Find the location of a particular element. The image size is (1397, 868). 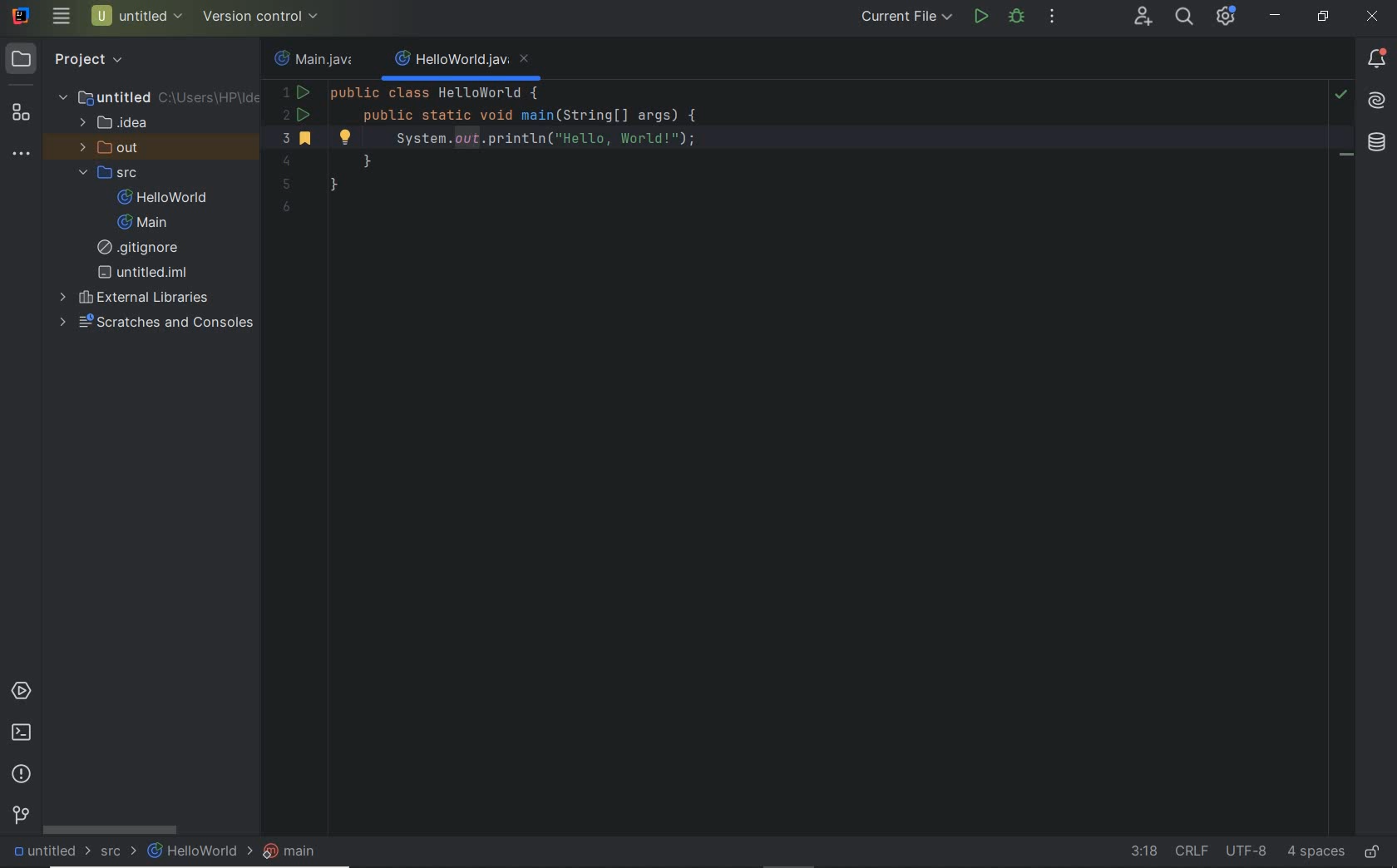

version control is located at coordinates (263, 18).